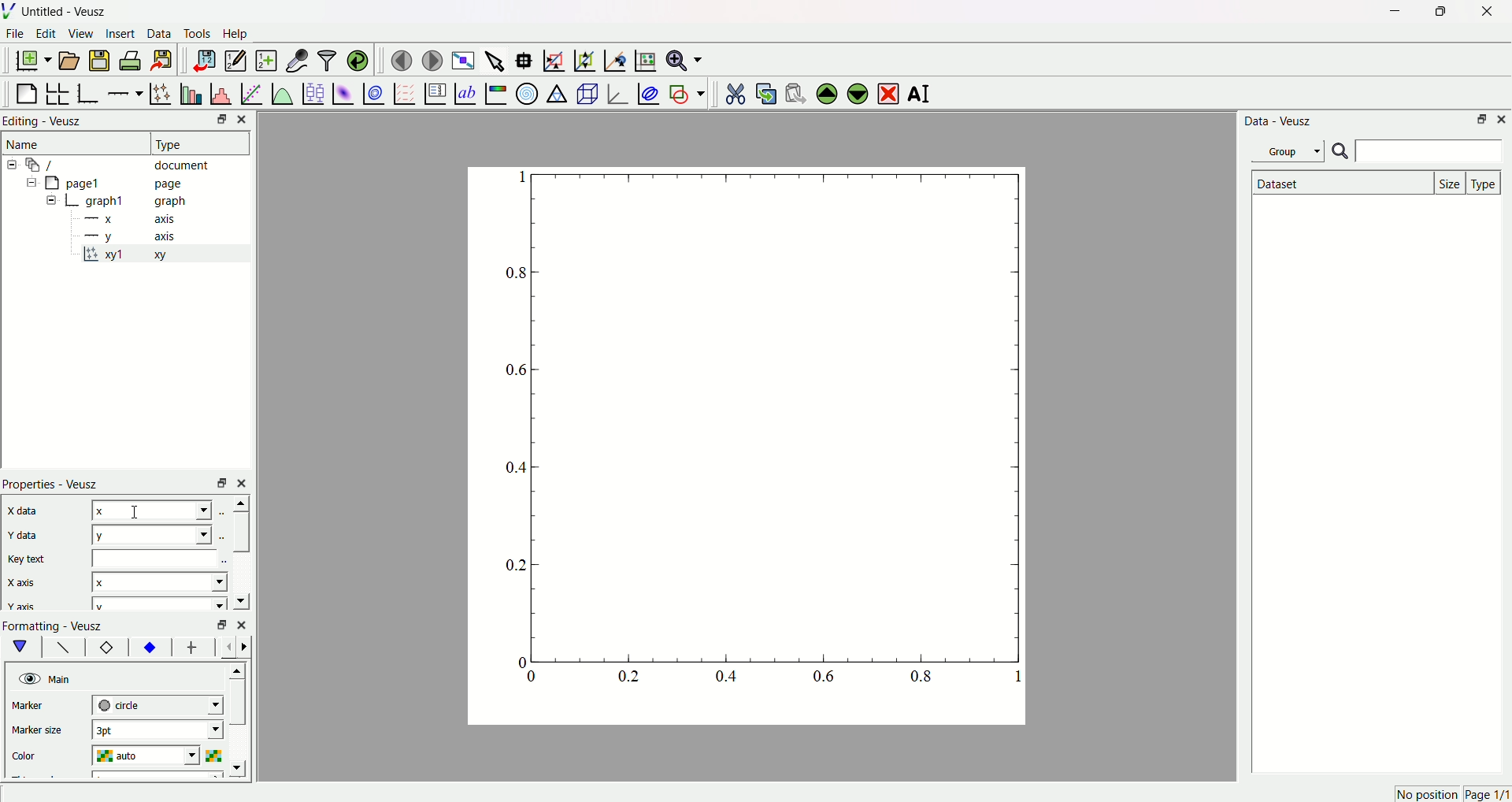  I want to click on background, so click(64, 649).